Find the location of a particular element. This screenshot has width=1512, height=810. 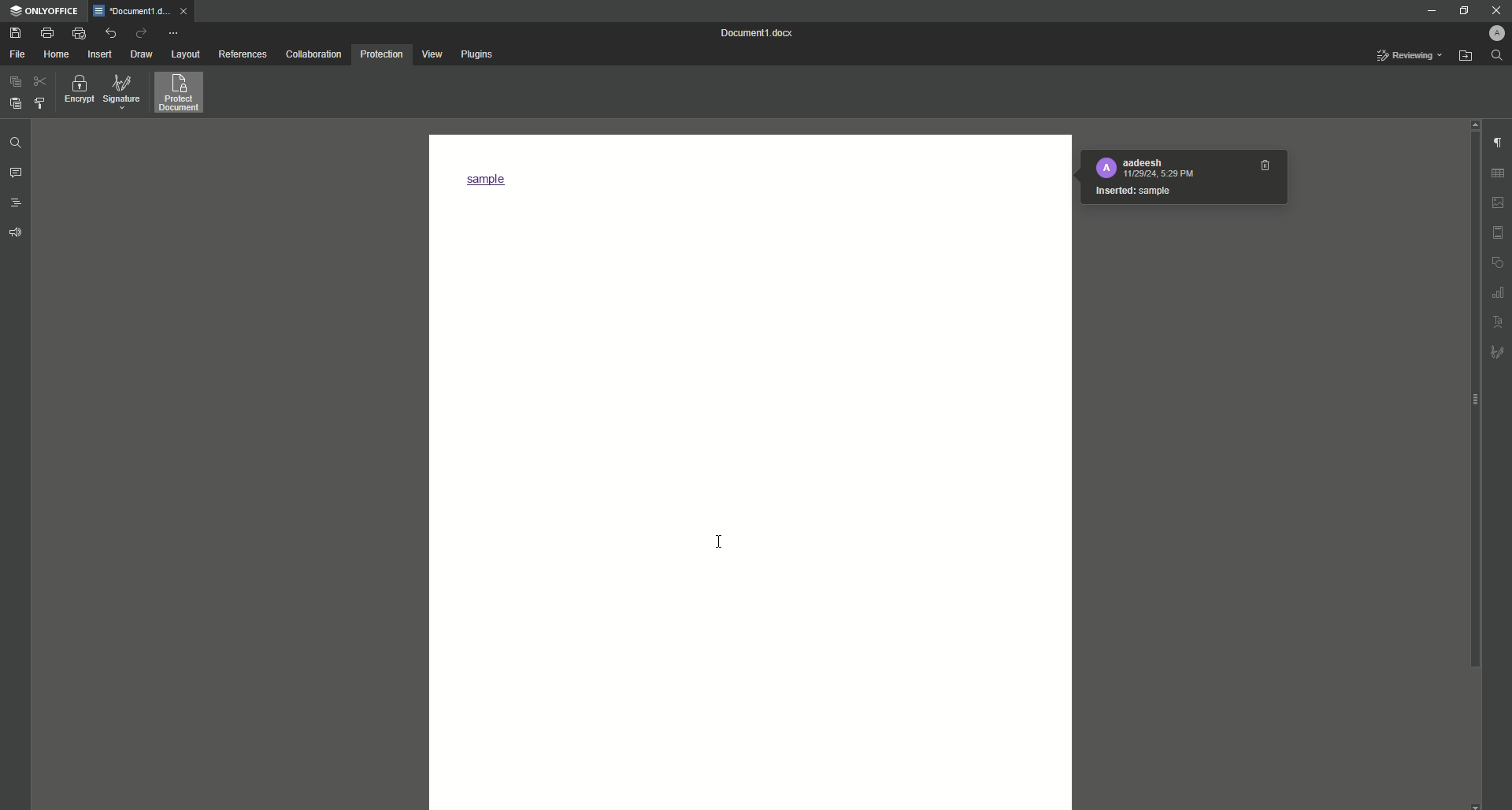

Protect Document is located at coordinates (183, 92).